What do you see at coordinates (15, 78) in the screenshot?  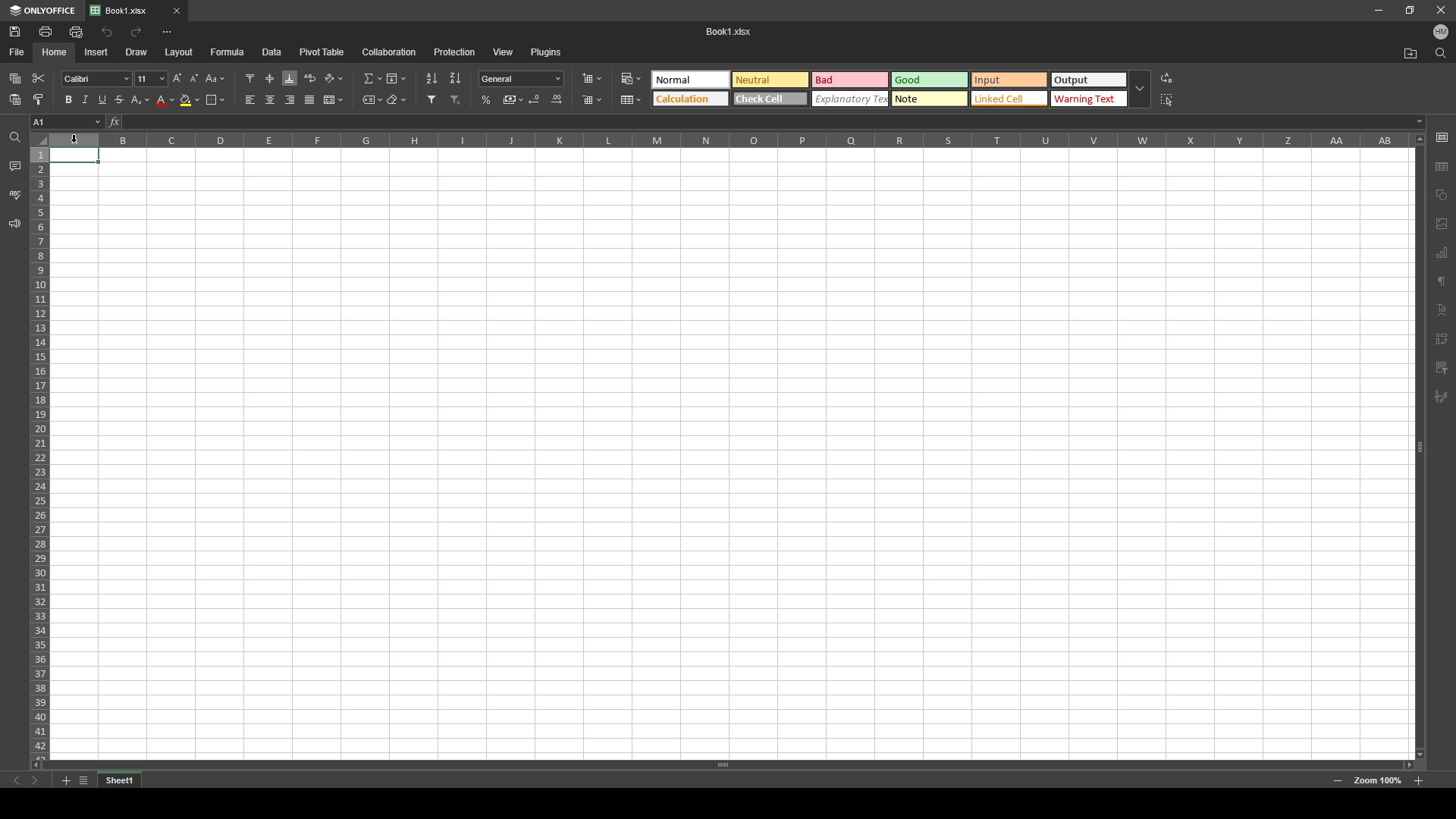 I see `copy` at bounding box center [15, 78].